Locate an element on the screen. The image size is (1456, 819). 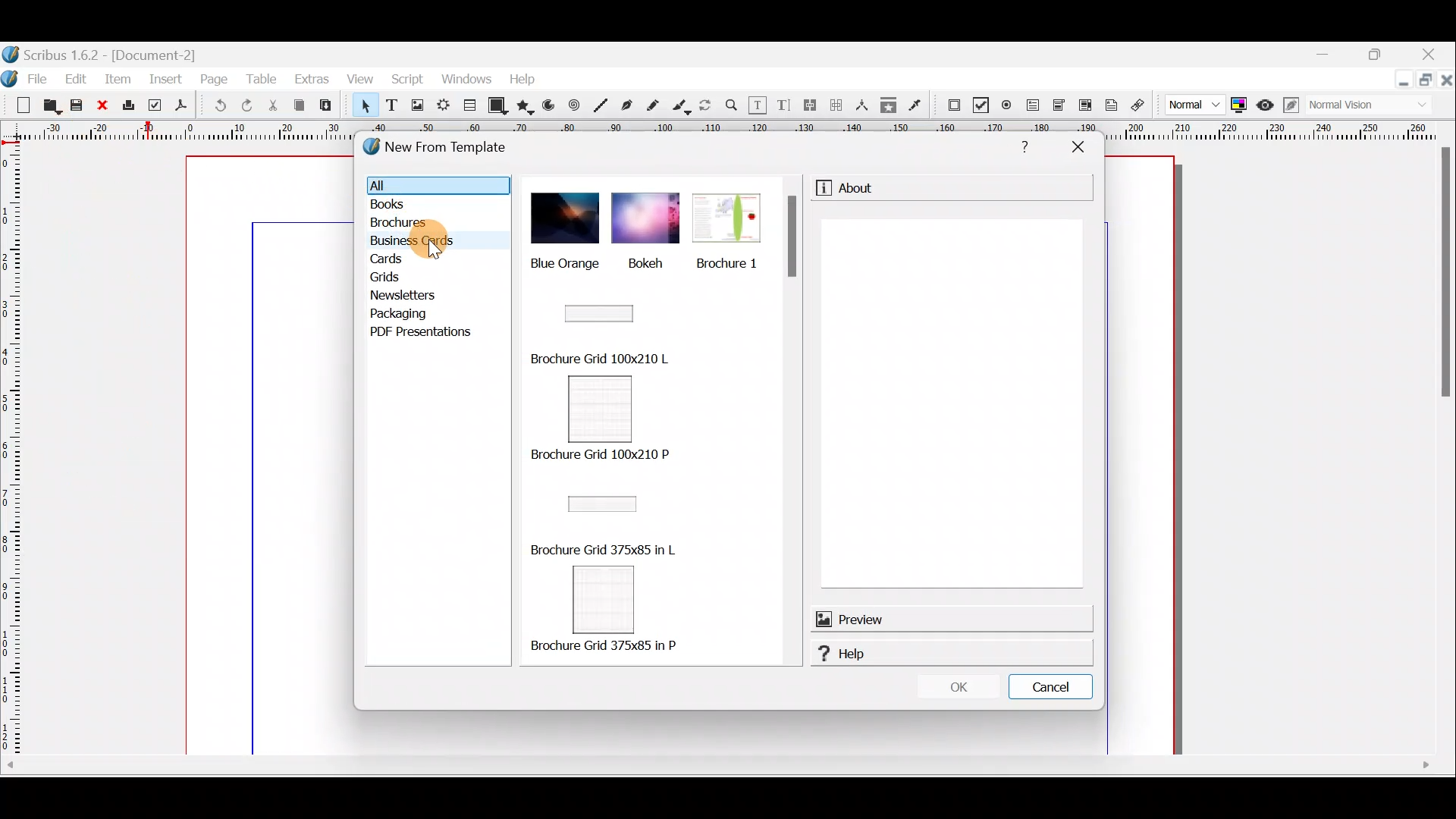
Grids is located at coordinates (401, 278).